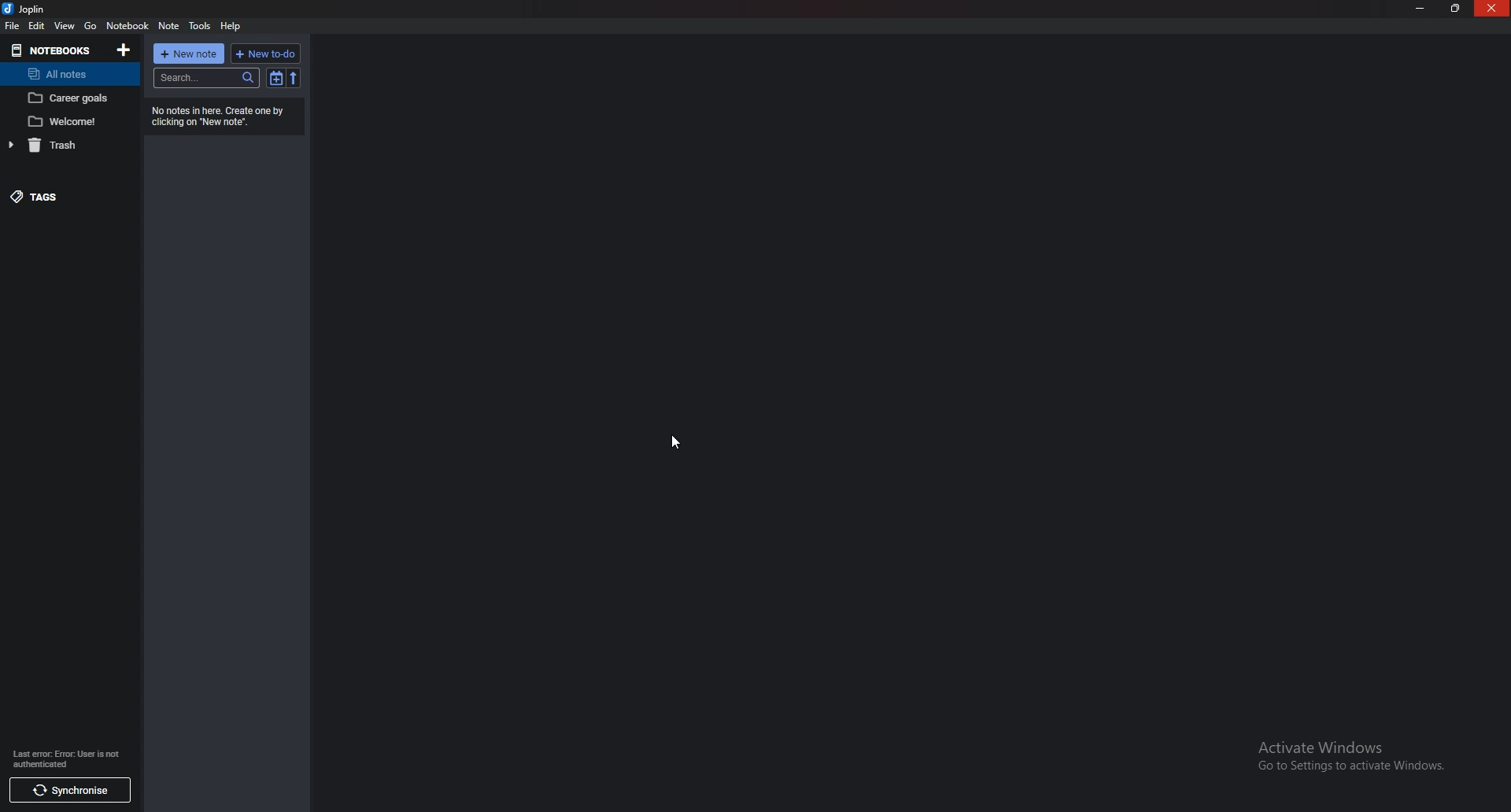  Describe the element at coordinates (169, 27) in the screenshot. I see `note` at that location.